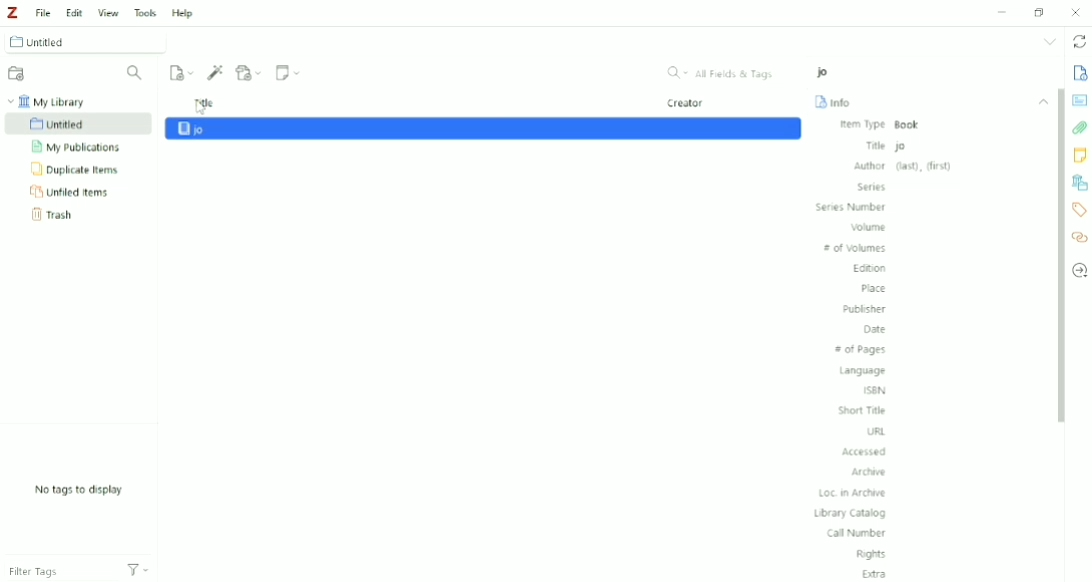 This screenshot has height=582, width=1092. Describe the element at coordinates (865, 309) in the screenshot. I see `Publisher` at that location.